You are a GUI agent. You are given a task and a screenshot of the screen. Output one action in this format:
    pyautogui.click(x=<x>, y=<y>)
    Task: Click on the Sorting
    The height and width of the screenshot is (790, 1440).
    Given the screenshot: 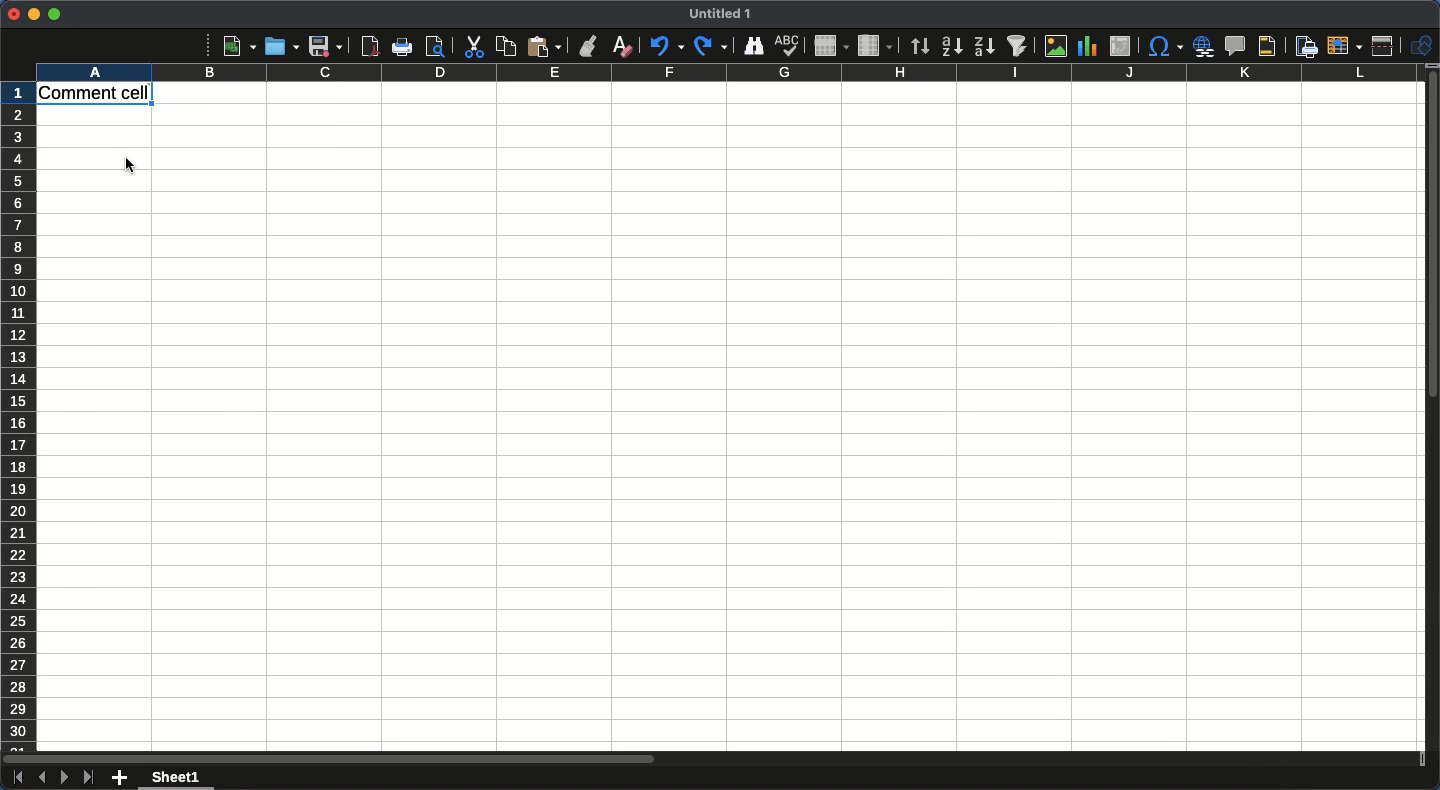 What is the action you would take?
    pyautogui.click(x=921, y=46)
    